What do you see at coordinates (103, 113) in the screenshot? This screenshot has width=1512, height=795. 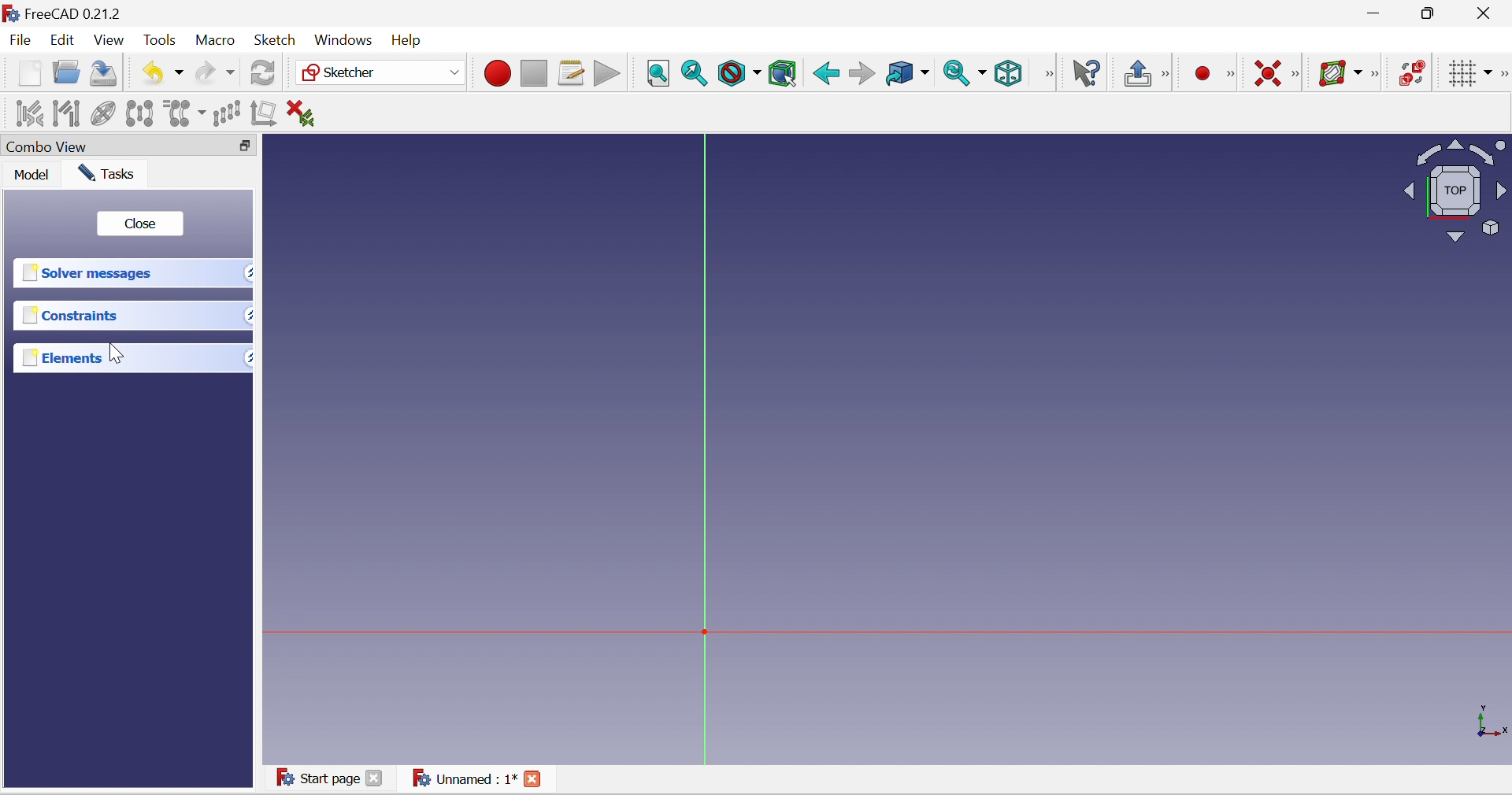 I see `Clone` at bounding box center [103, 113].